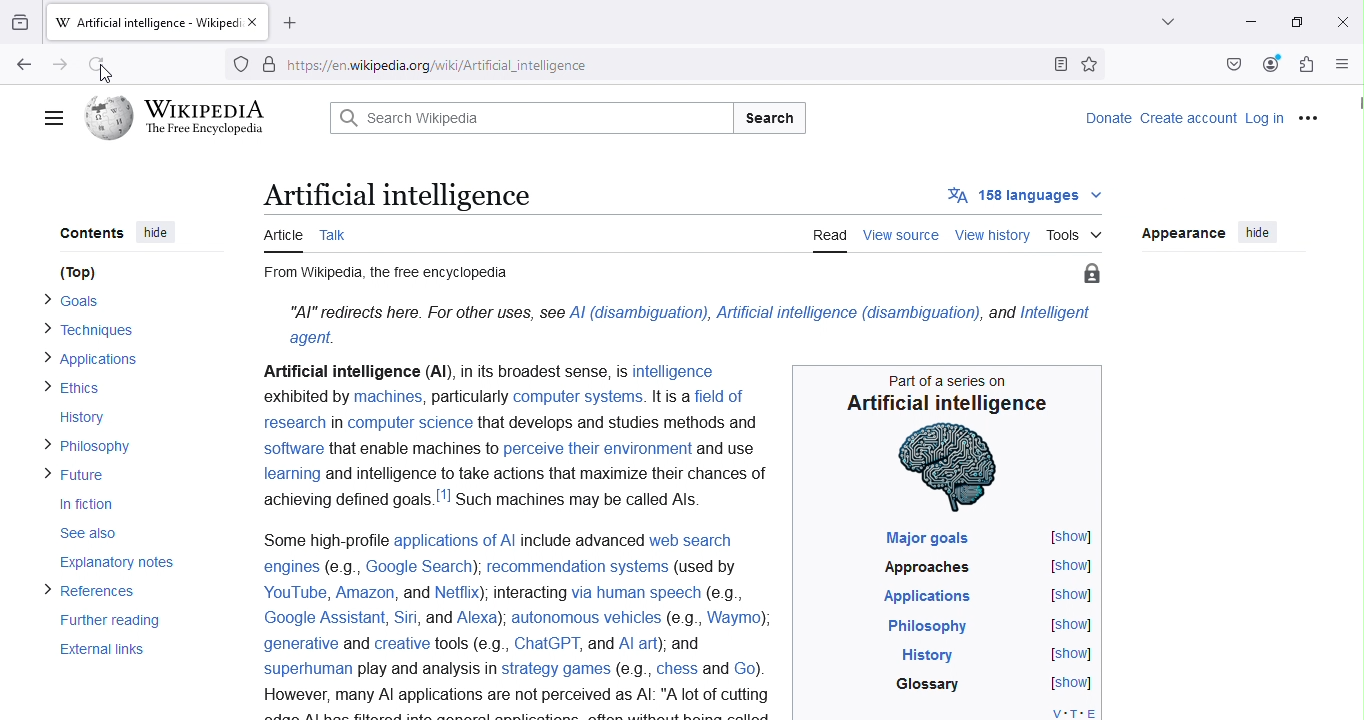 Image resolution: width=1364 pixels, height=720 pixels. I want to click on web search, so click(695, 541).